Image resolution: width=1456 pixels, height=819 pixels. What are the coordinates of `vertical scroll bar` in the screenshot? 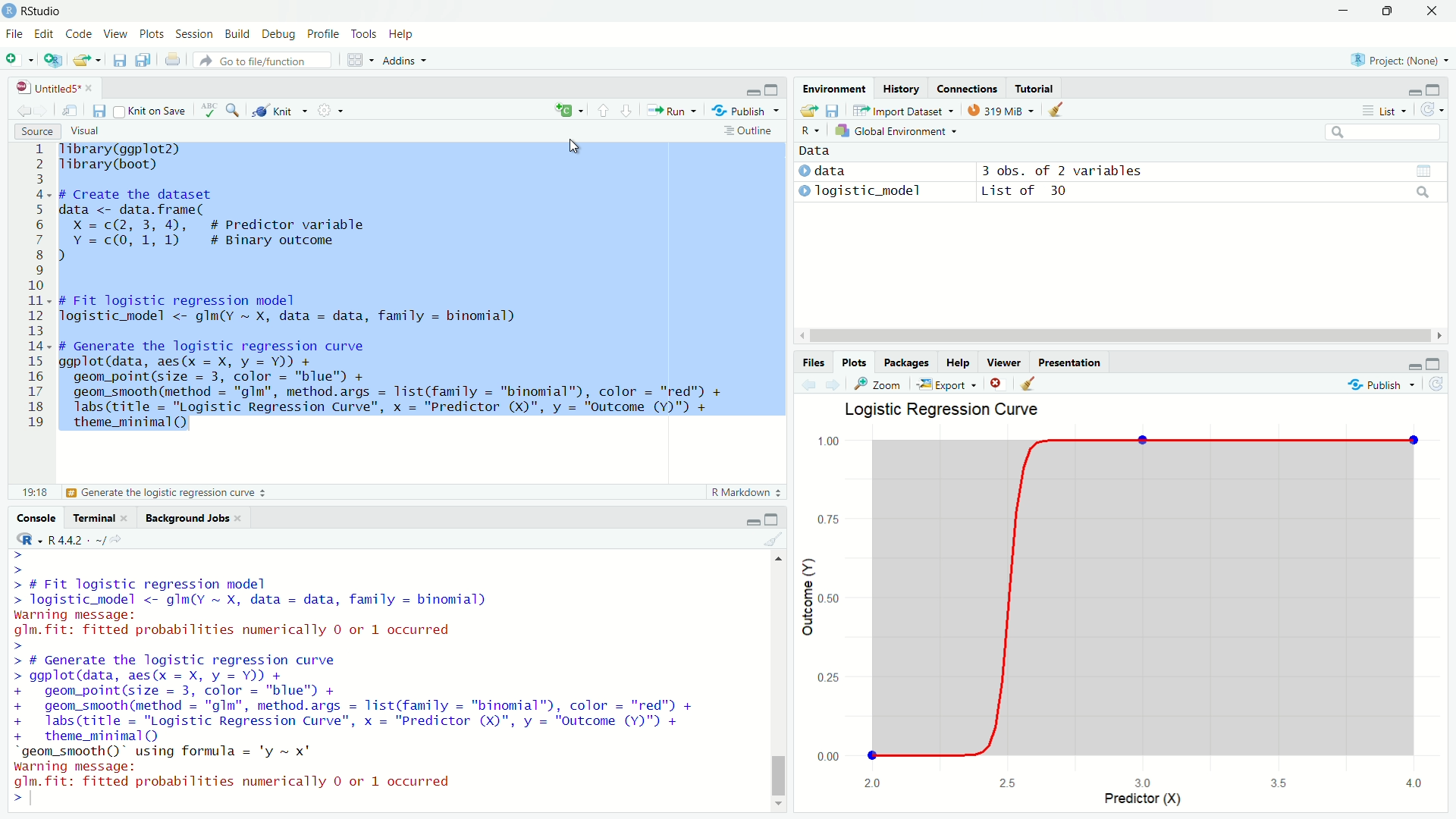 It's located at (777, 681).